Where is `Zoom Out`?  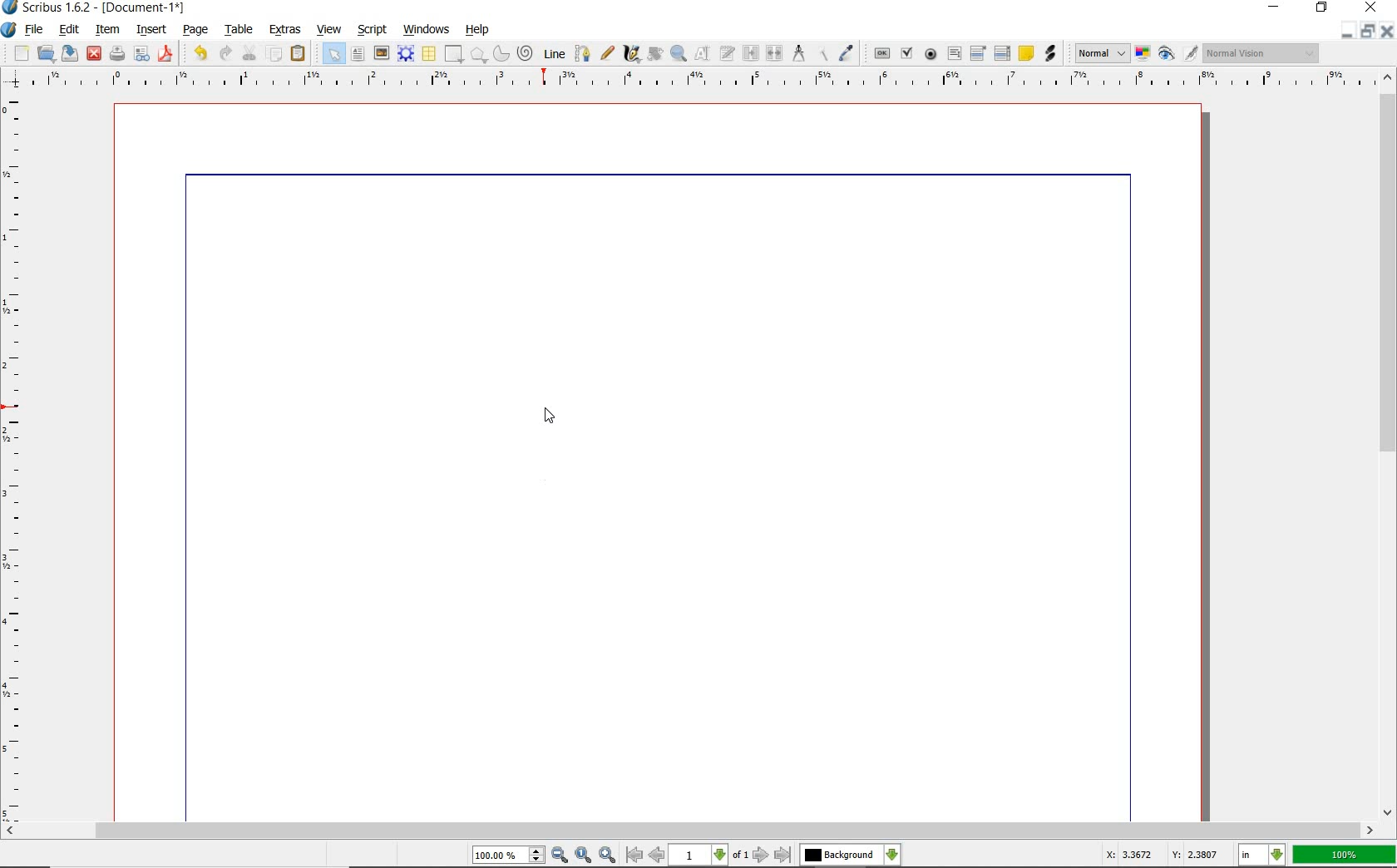 Zoom Out is located at coordinates (560, 855).